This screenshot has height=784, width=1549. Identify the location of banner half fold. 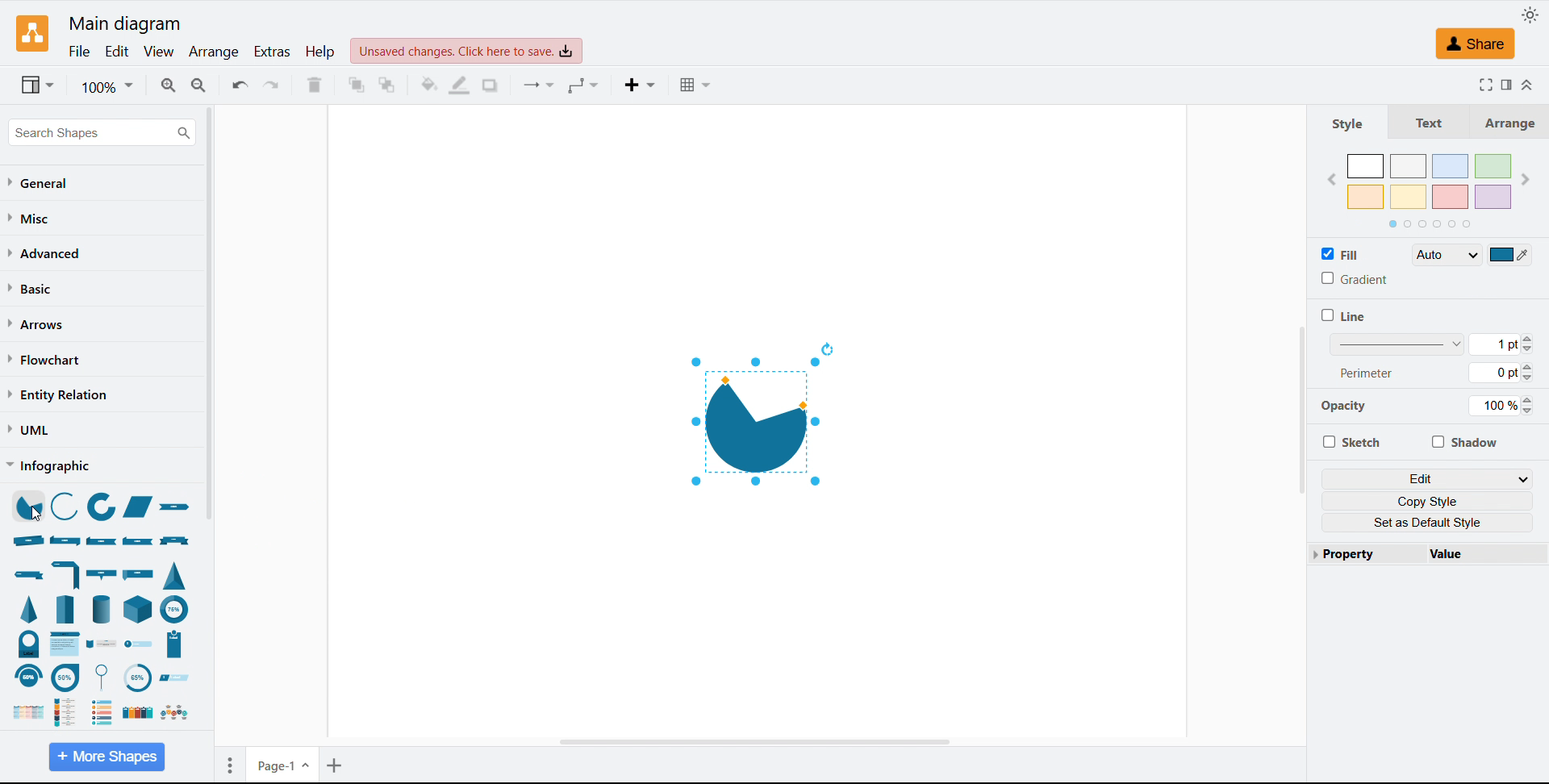
(65, 575).